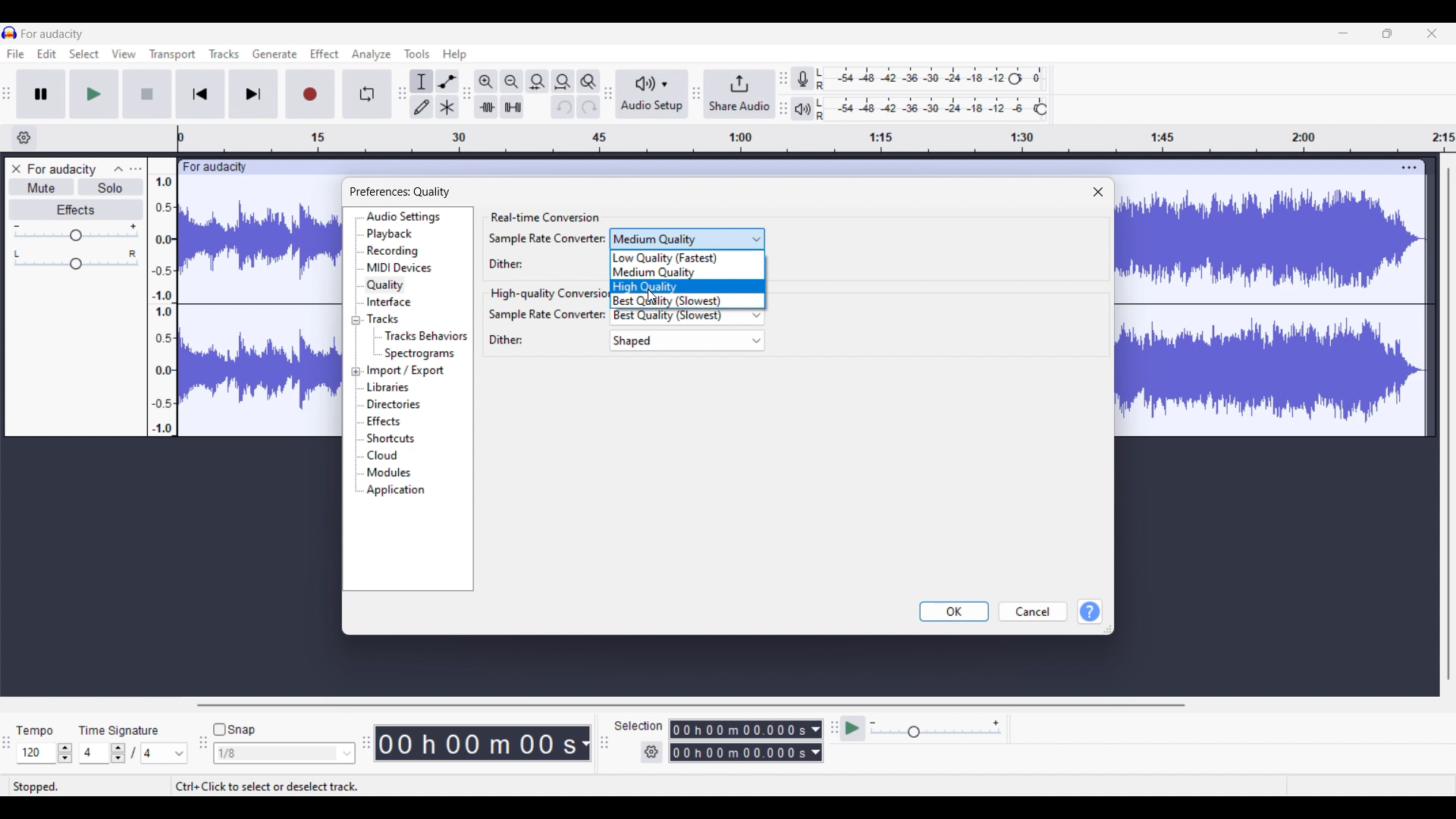 Image resolution: width=1456 pixels, height=819 pixels. What do you see at coordinates (422, 107) in the screenshot?
I see `Draw tool` at bounding box center [422, 107].